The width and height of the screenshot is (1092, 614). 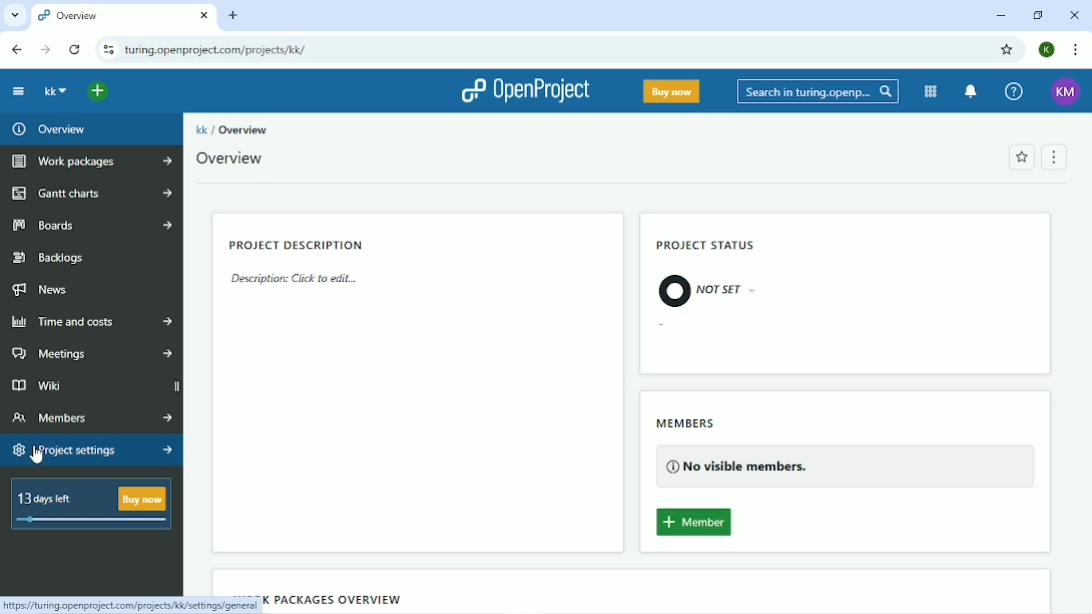 I want to click on PROJECT STATUS, so click(x=707, y=247).